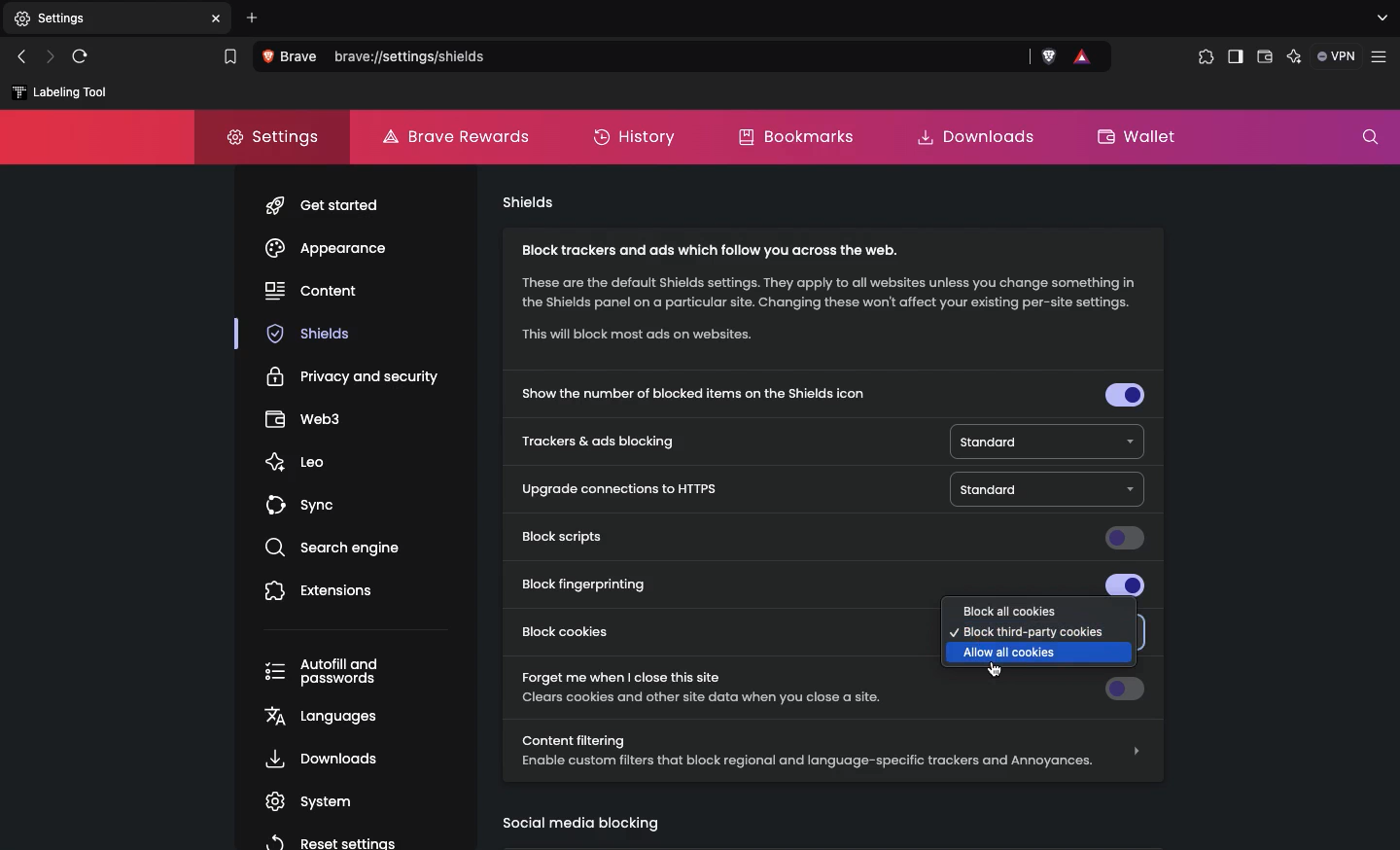  I want to click on Block trackers and ads which follow you across the web.

These are the default Shields settings. They apply to all websites unless you change something in
the Shields panel on a particular site. Changing these won't affect your existing per-site settings.
“This will block most ads on websites., so click(825, 301).